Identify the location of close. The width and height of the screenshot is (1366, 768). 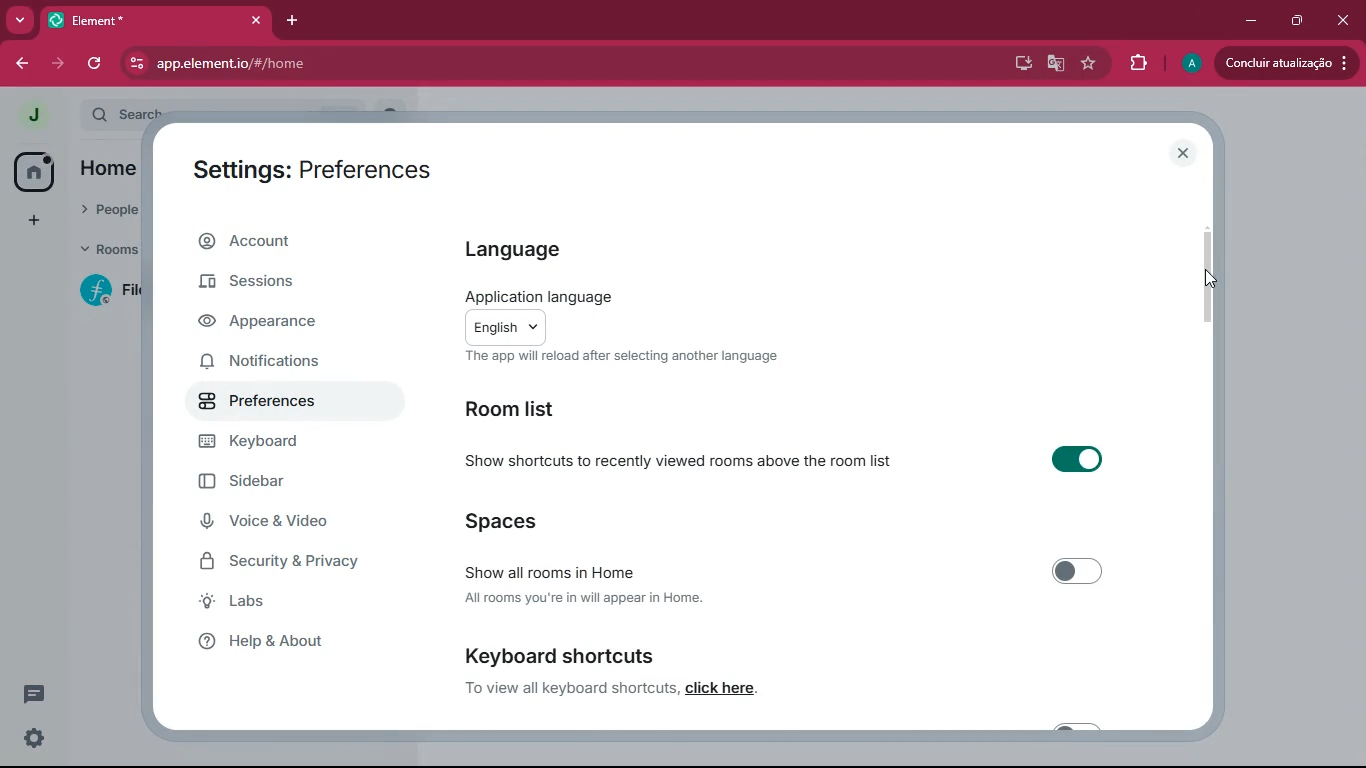
(1184, 153).